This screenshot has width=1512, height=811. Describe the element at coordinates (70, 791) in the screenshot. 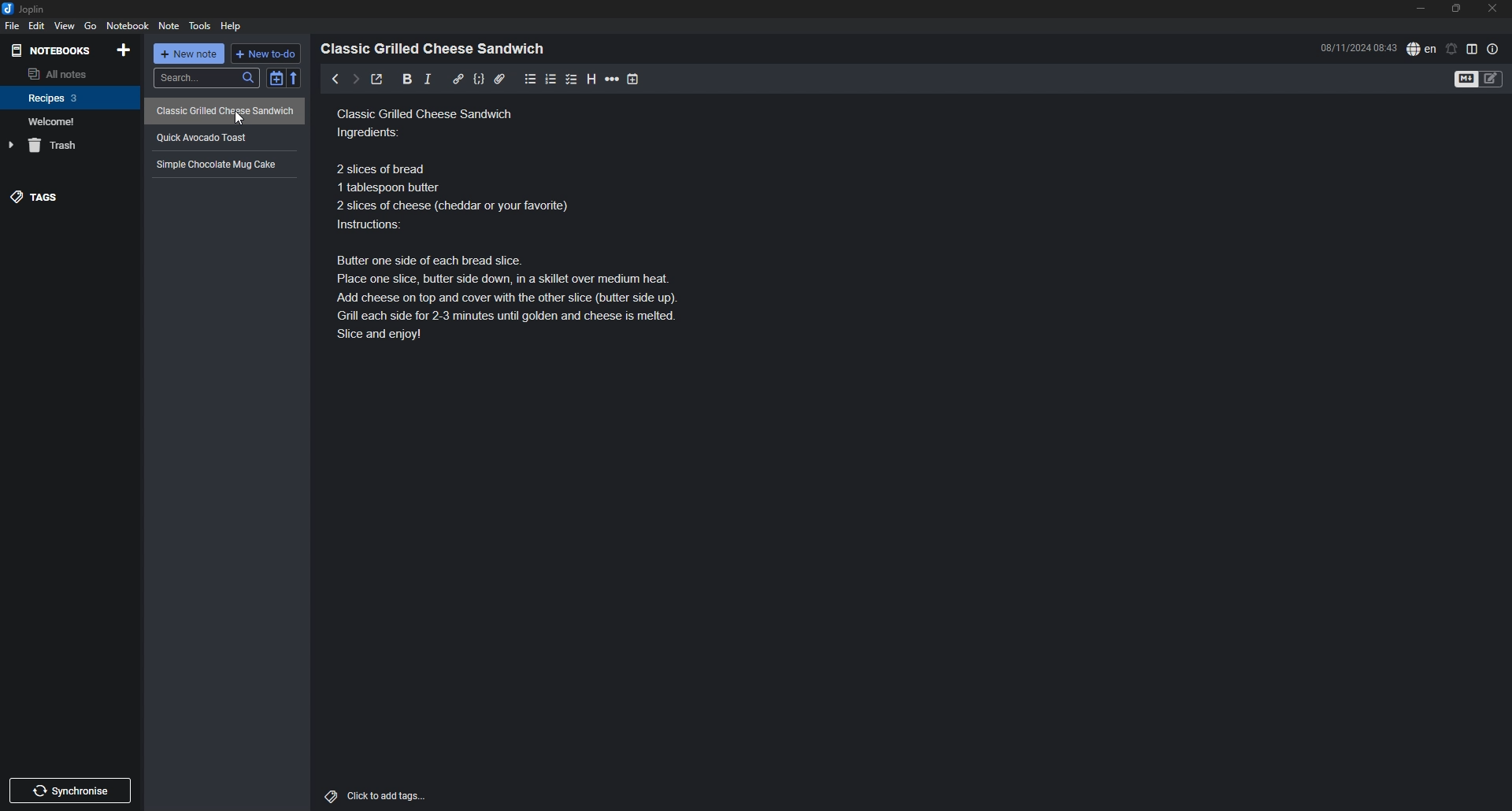

I see `sync` at that location.